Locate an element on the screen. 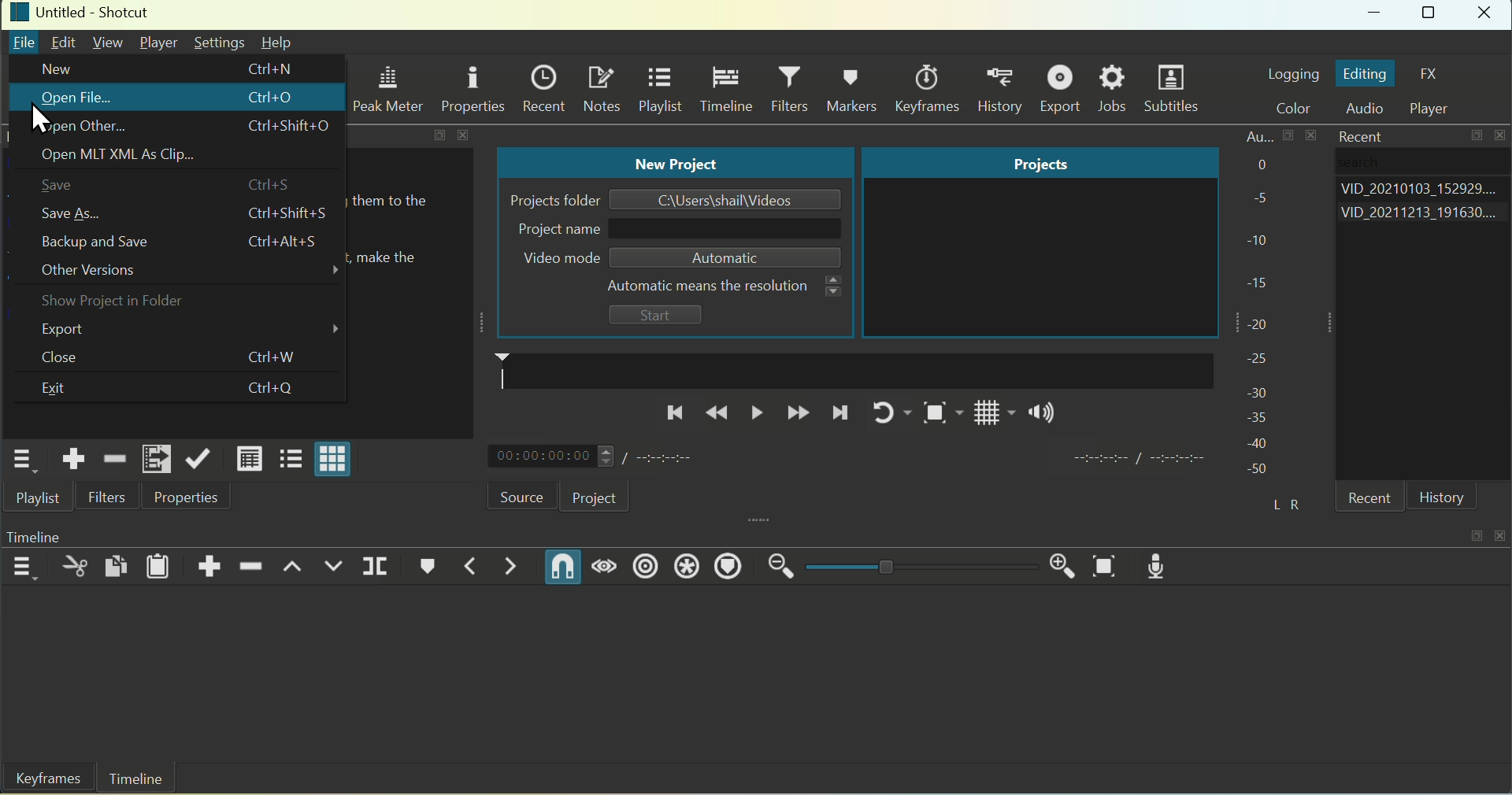  Ctlrl+Shift+O is located at coordinates (291, 128).